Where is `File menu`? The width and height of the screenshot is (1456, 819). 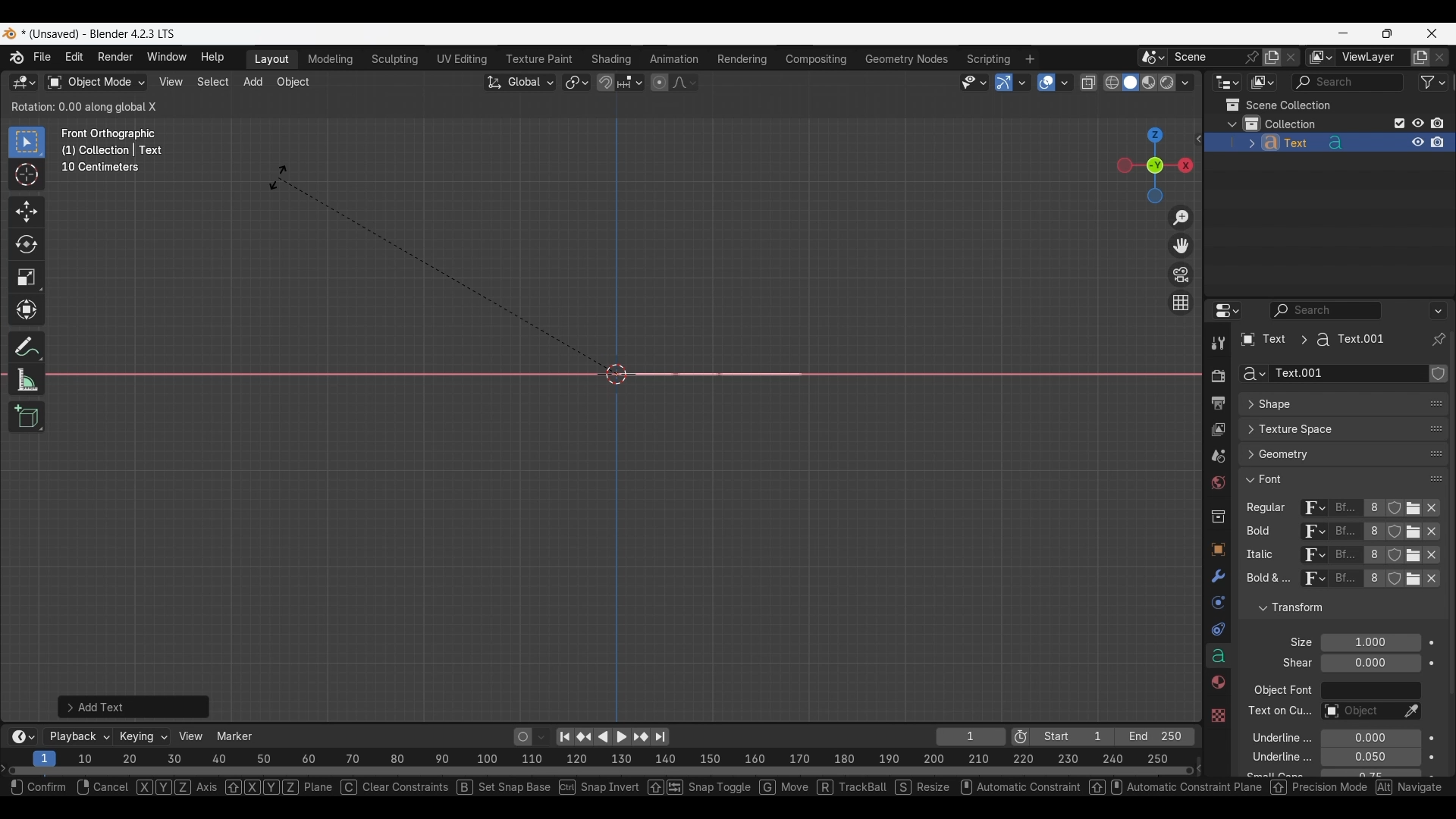
File menu is located at coordinates (43, 58).